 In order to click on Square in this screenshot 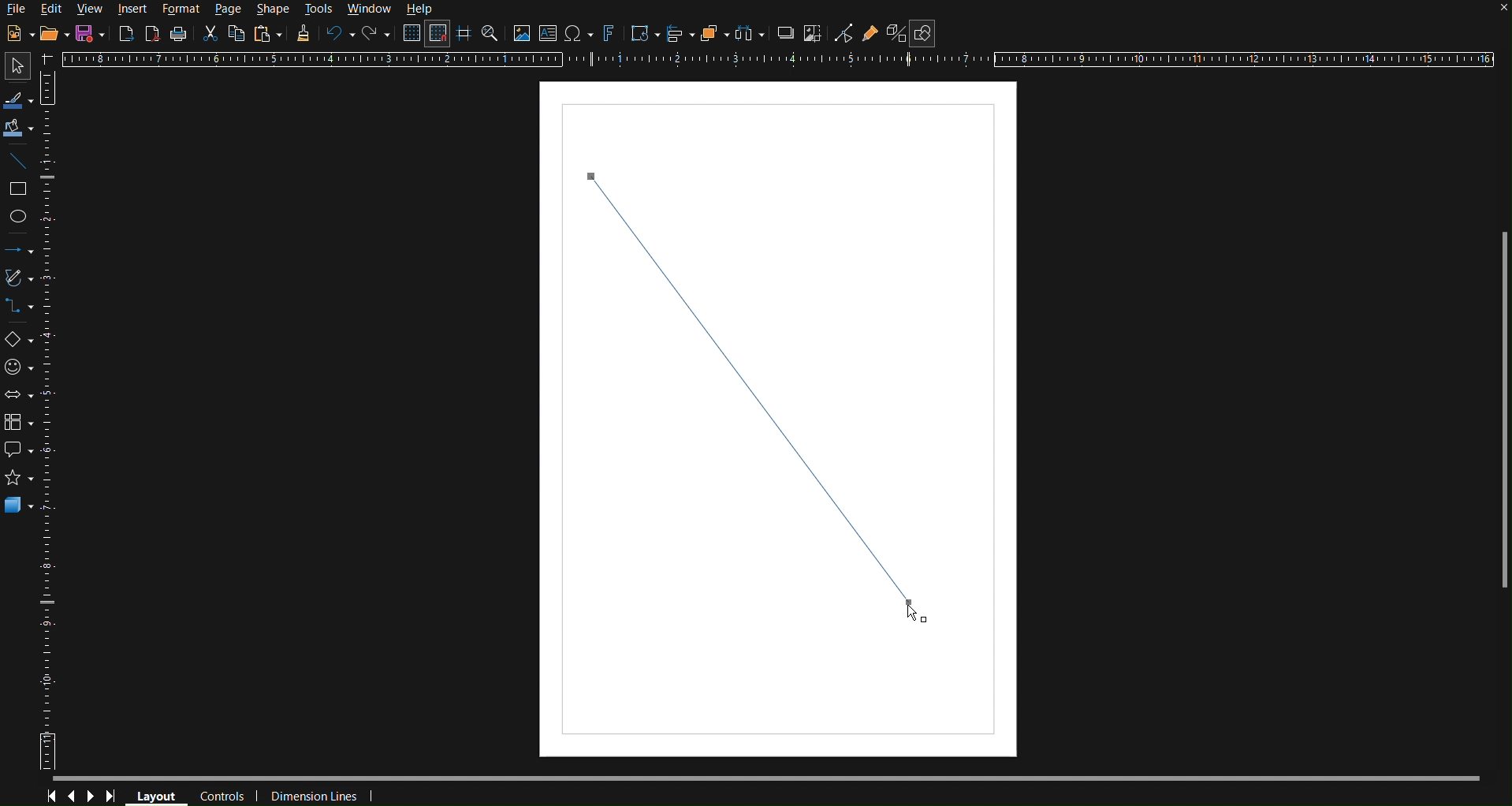, I will do `click(19, 192)`.